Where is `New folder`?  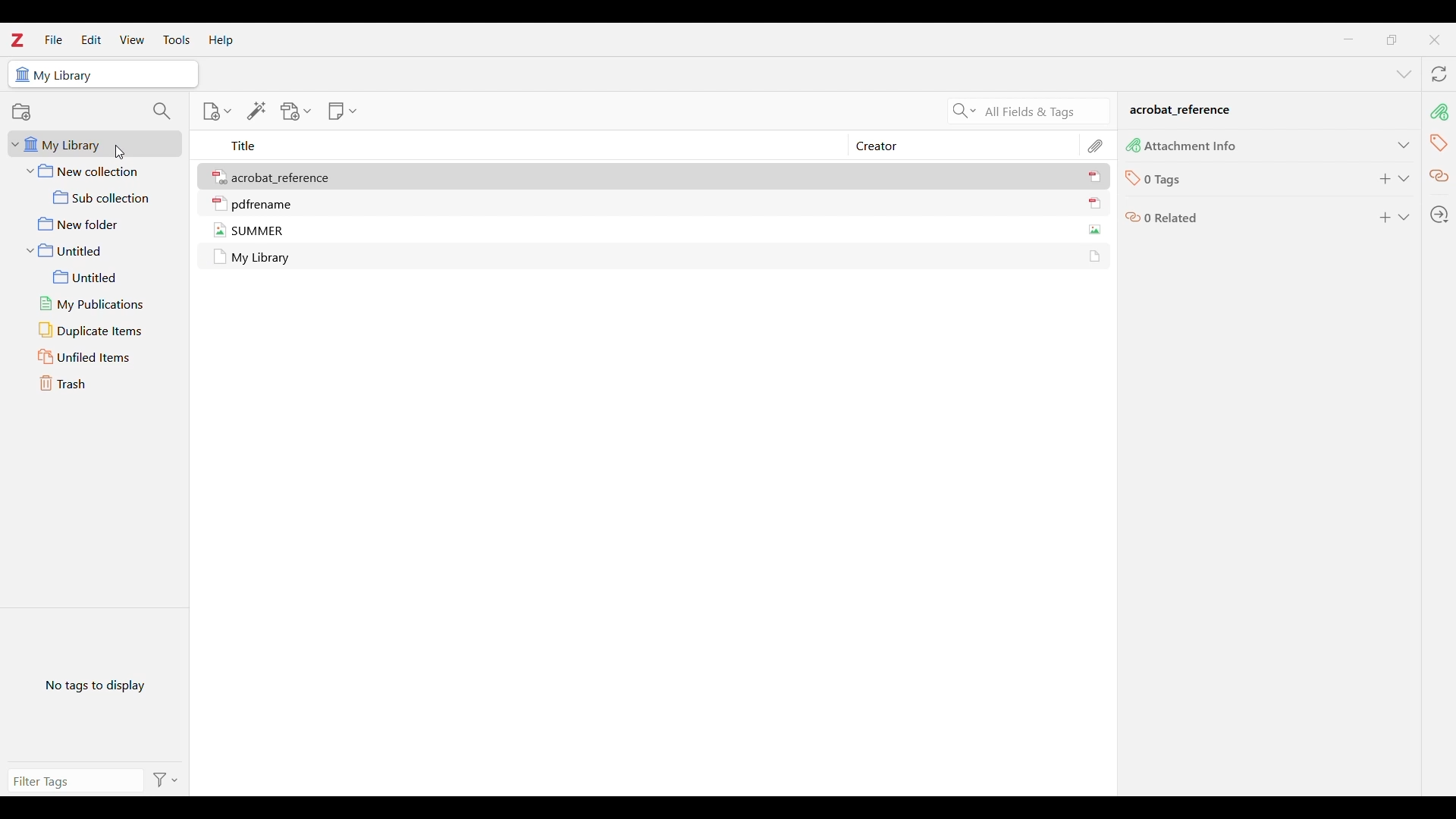 New folder is located at coordinates (98, 224).